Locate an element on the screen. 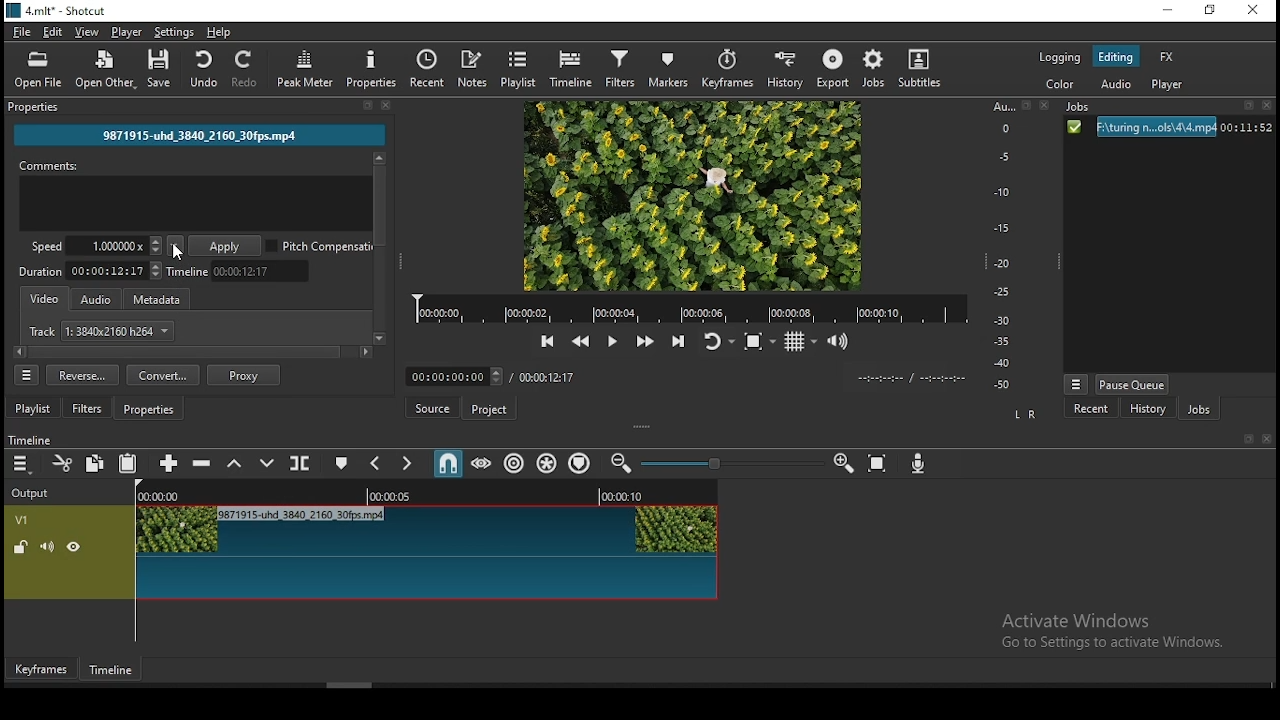  recent is located at coordinates (1092, 409).